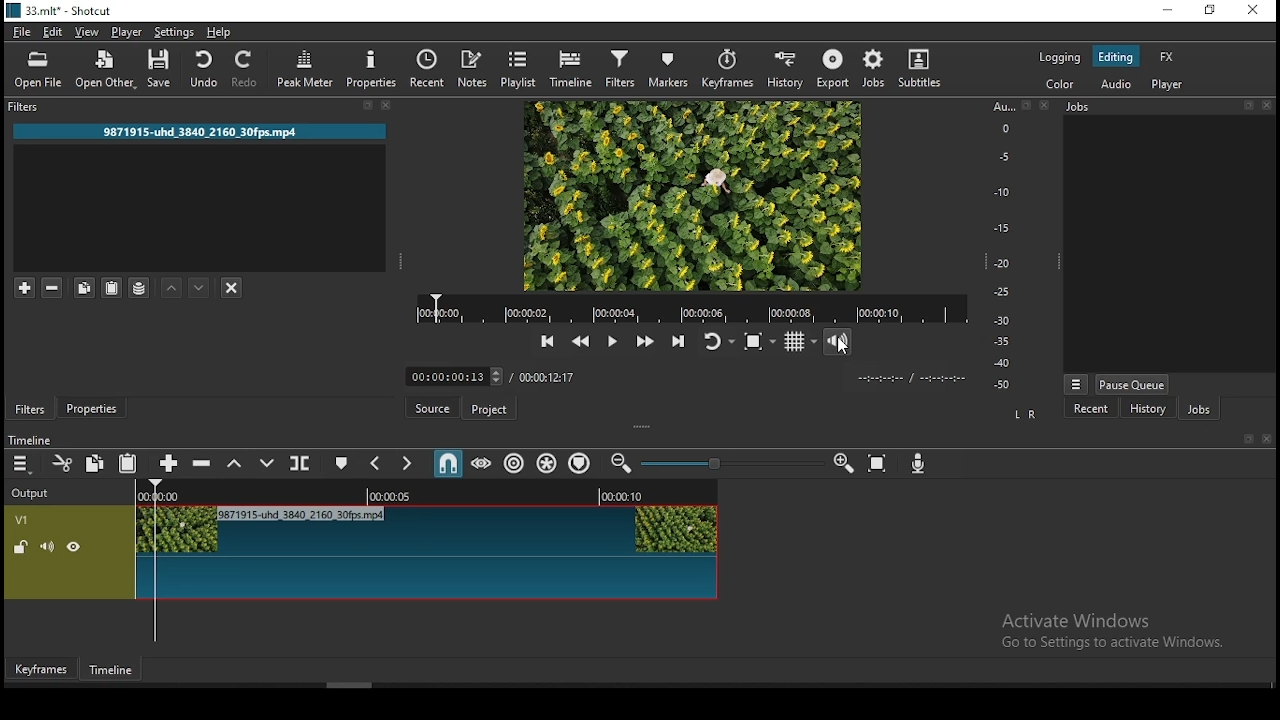  Describe the element at coordinates (163, 69) in the screenshot. I see `save` at that location.